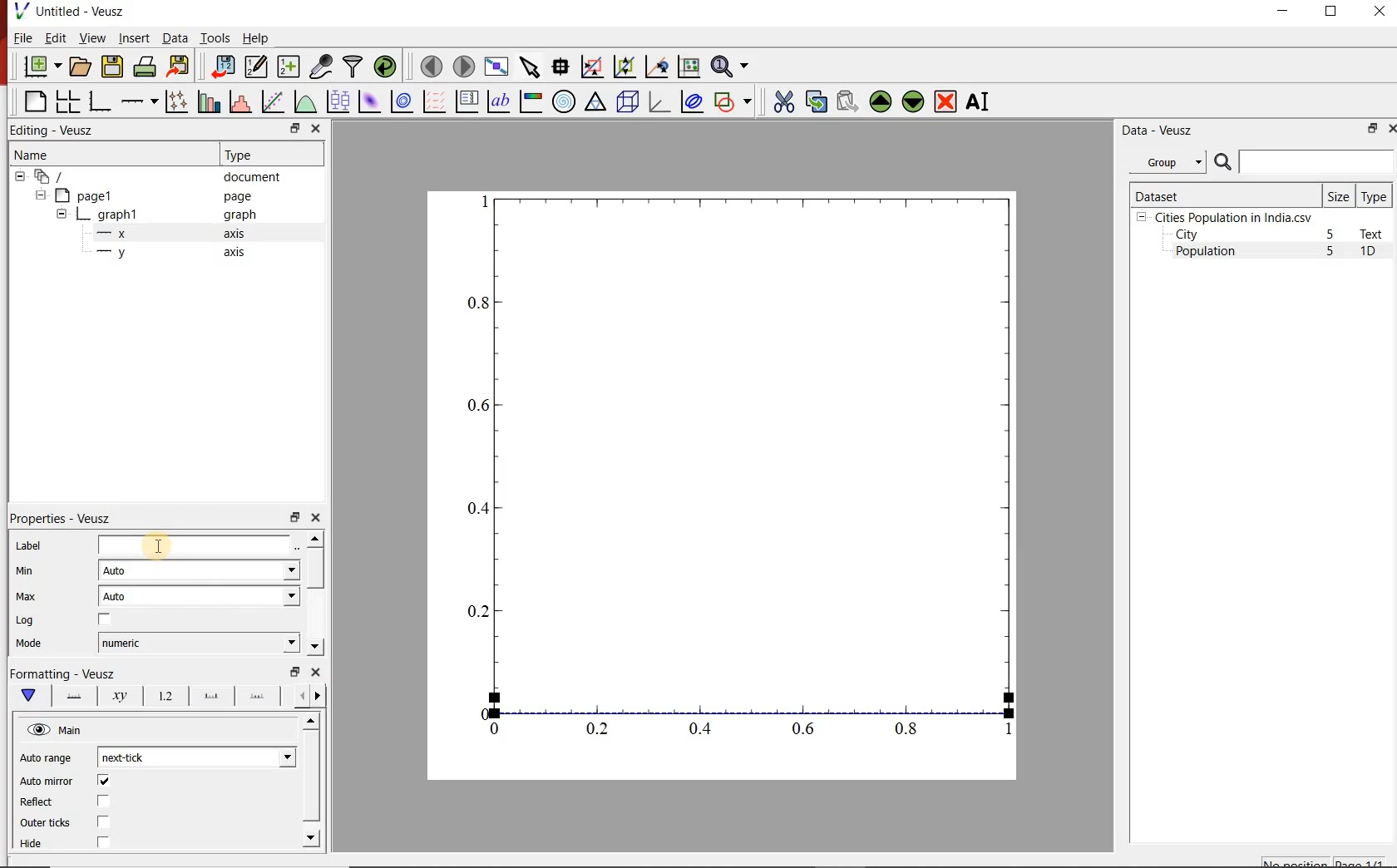 The height and width of the screenshot is (868, 1397). I want to click on Text, so click(1375, 234).